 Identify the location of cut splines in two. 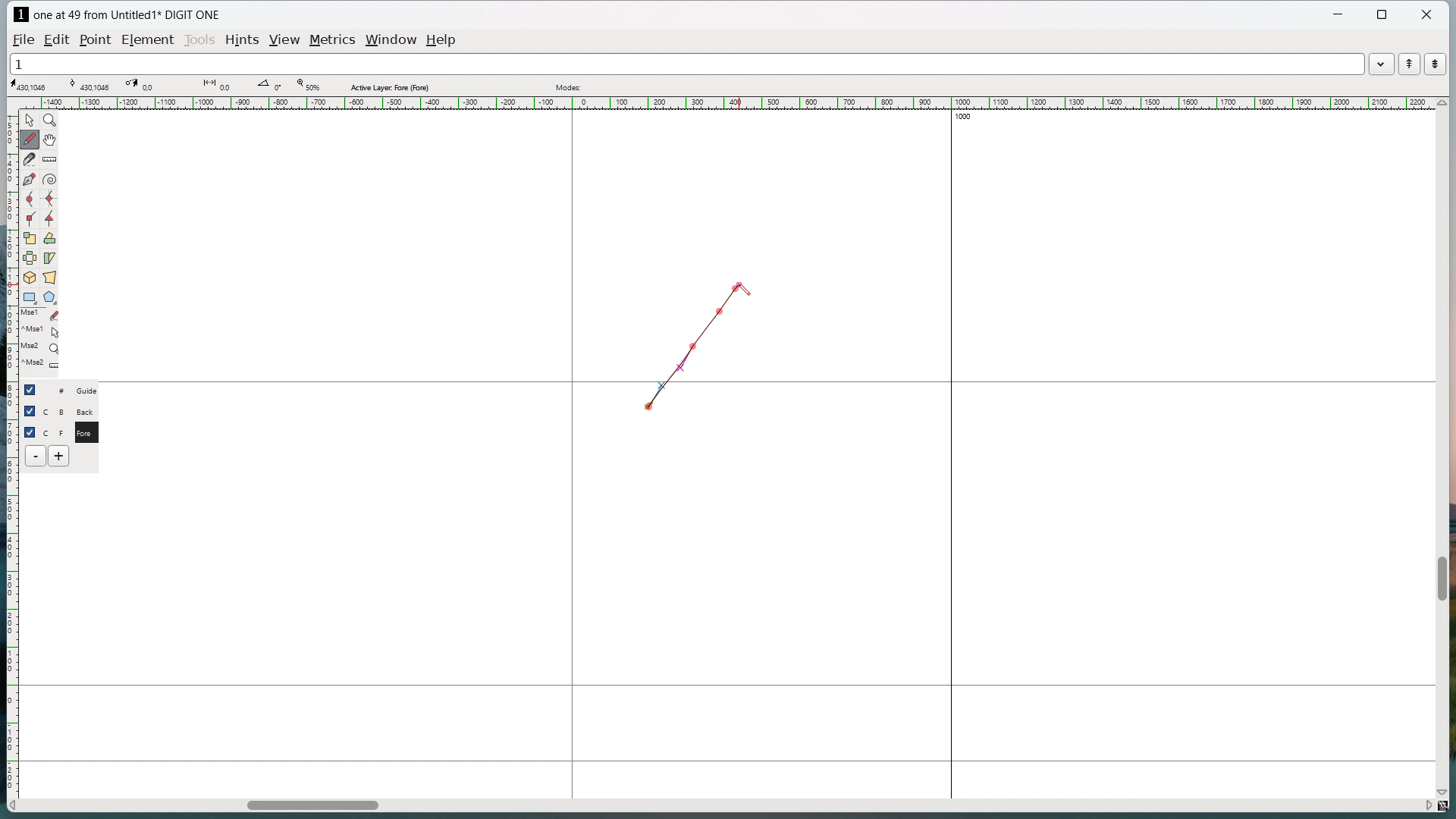
(30, 159).